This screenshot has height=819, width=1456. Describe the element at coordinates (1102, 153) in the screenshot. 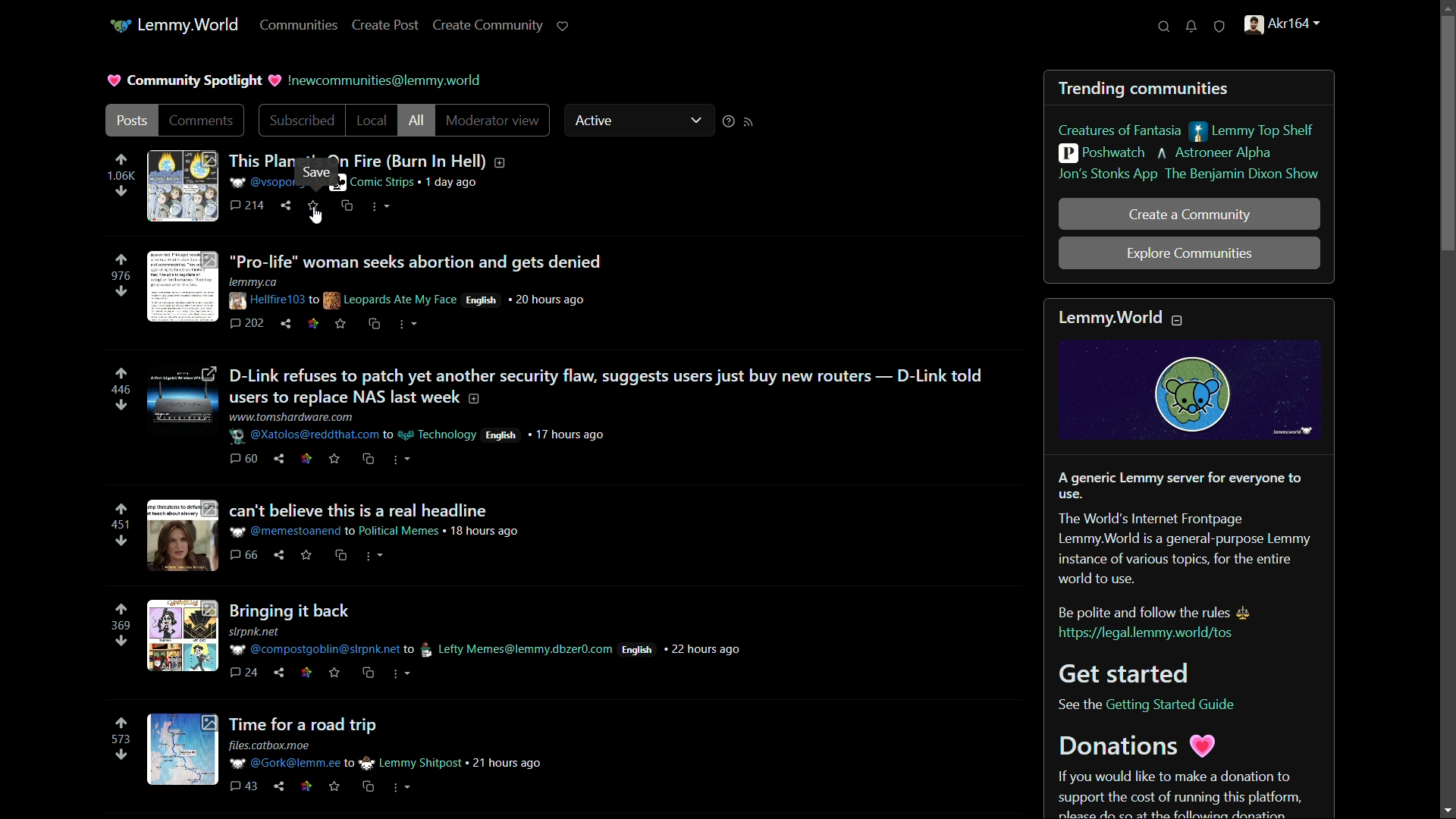

I see `poshwatch` at that location.